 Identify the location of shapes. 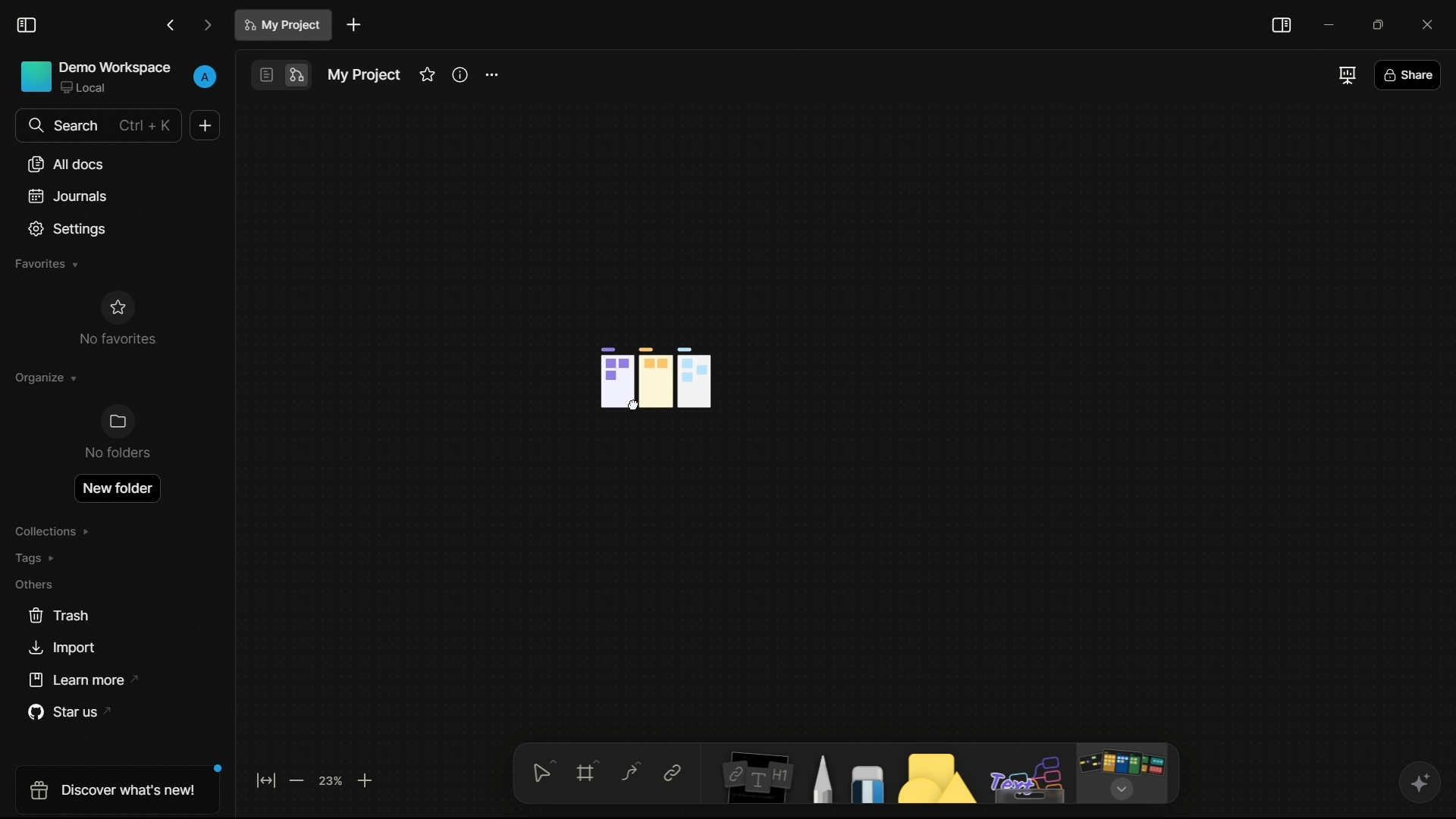
(934, 777).